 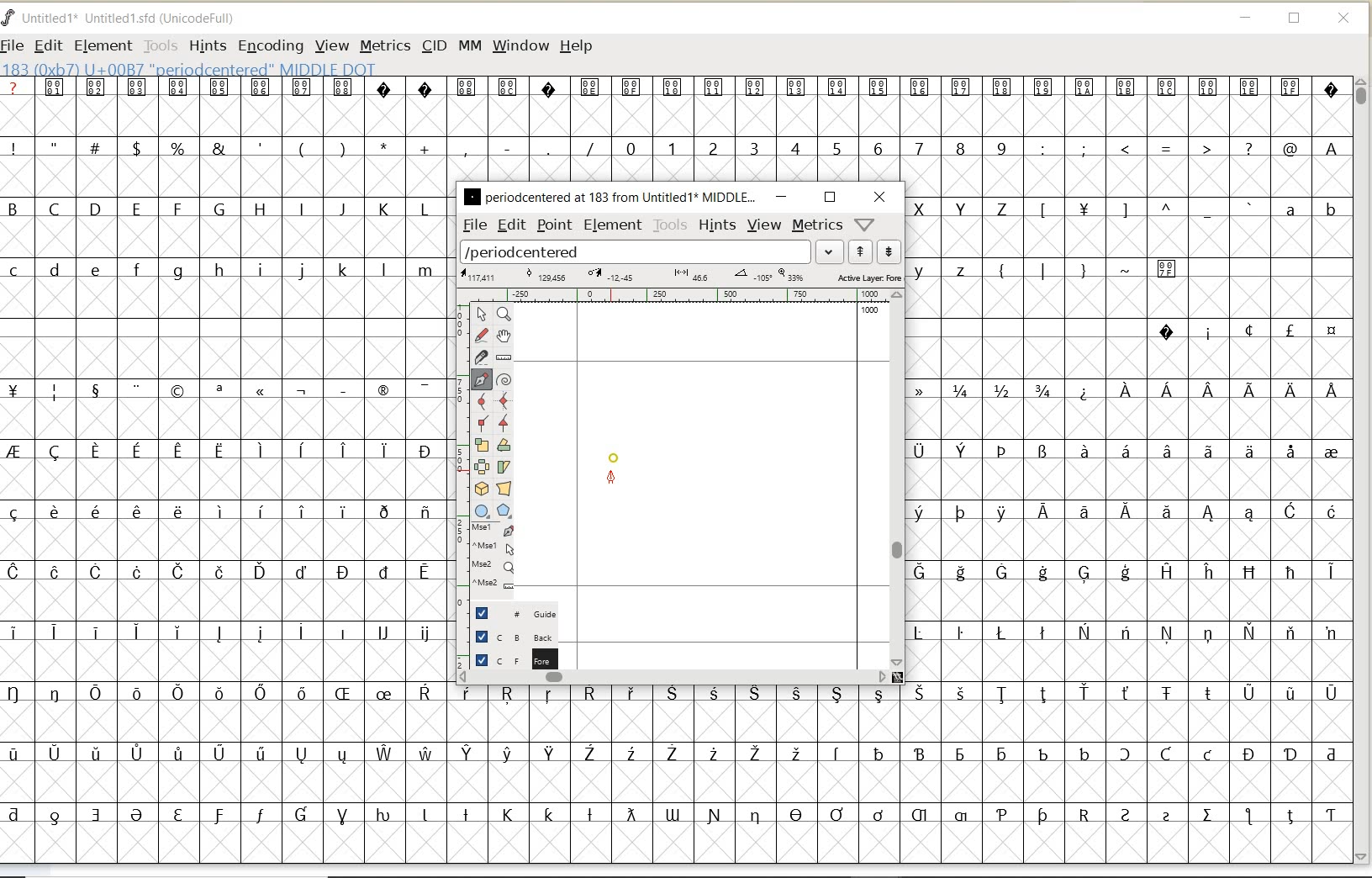 I want to click on FontForge Logo, so click(x=9, y=16).